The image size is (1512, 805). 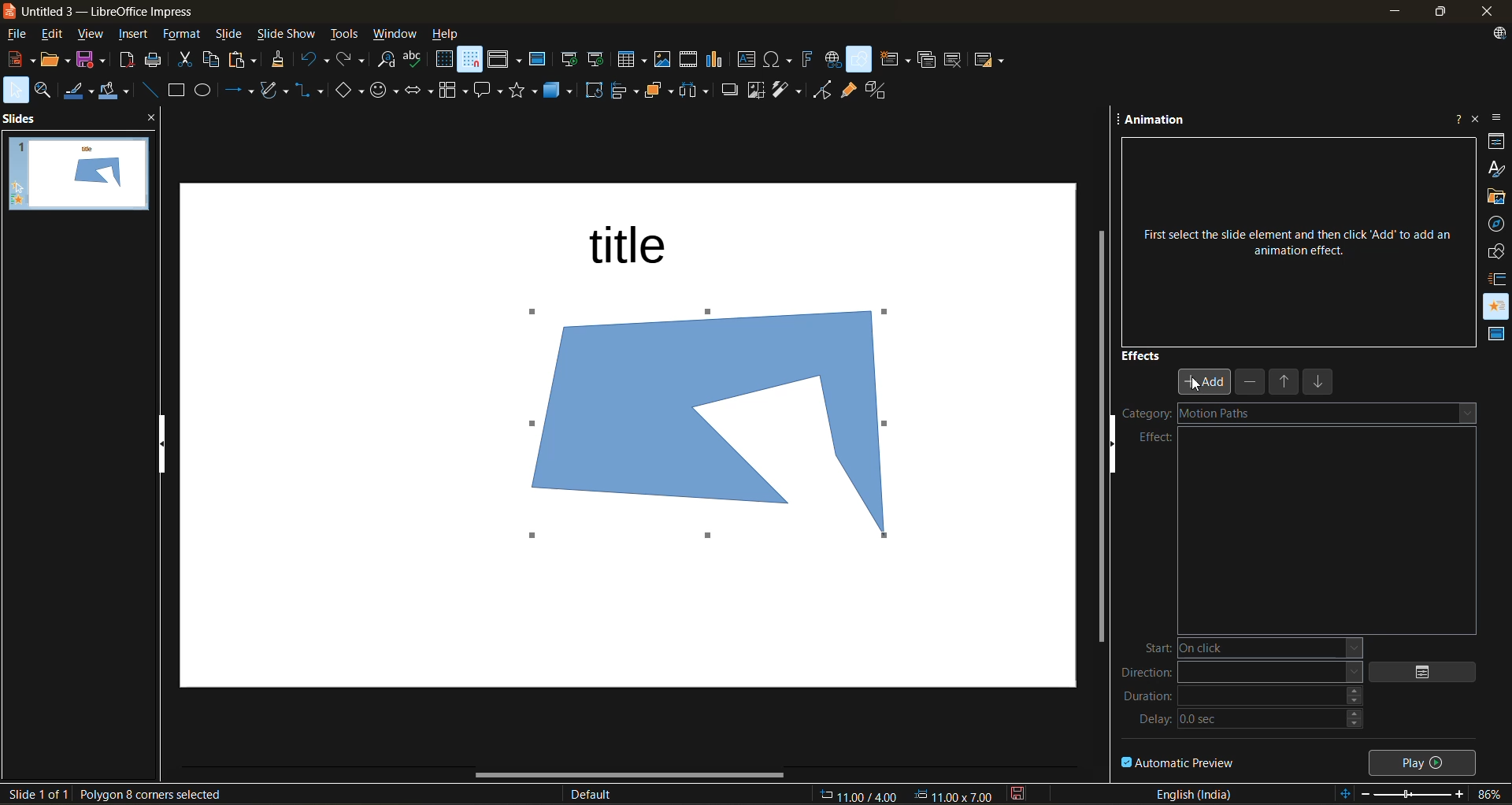 What do you see at coordinates (1017, 793) in the screenshot?
I see `click to save` at bounding box center [1017, 793].